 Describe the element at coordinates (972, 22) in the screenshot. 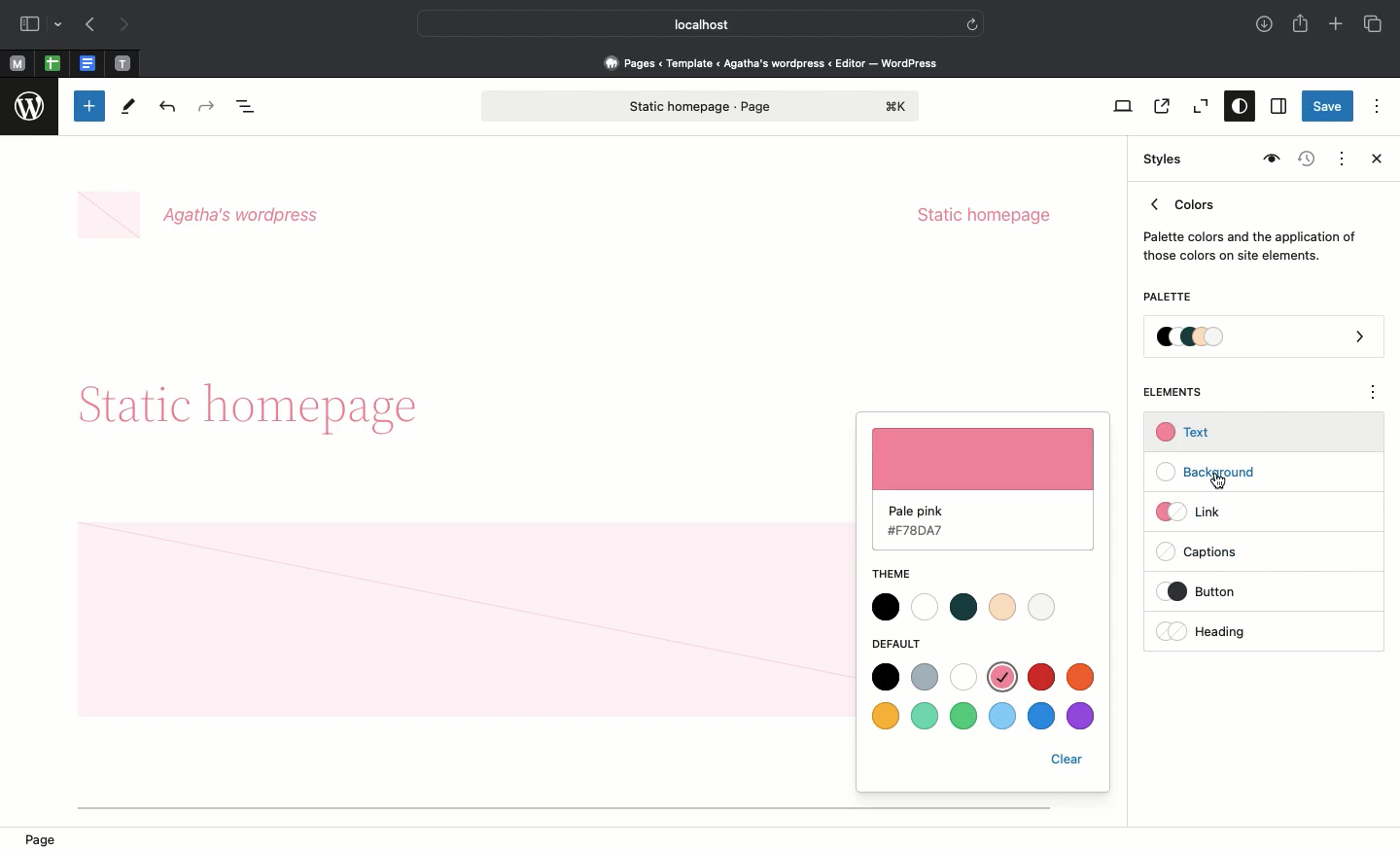

I see `refresh` at that location.